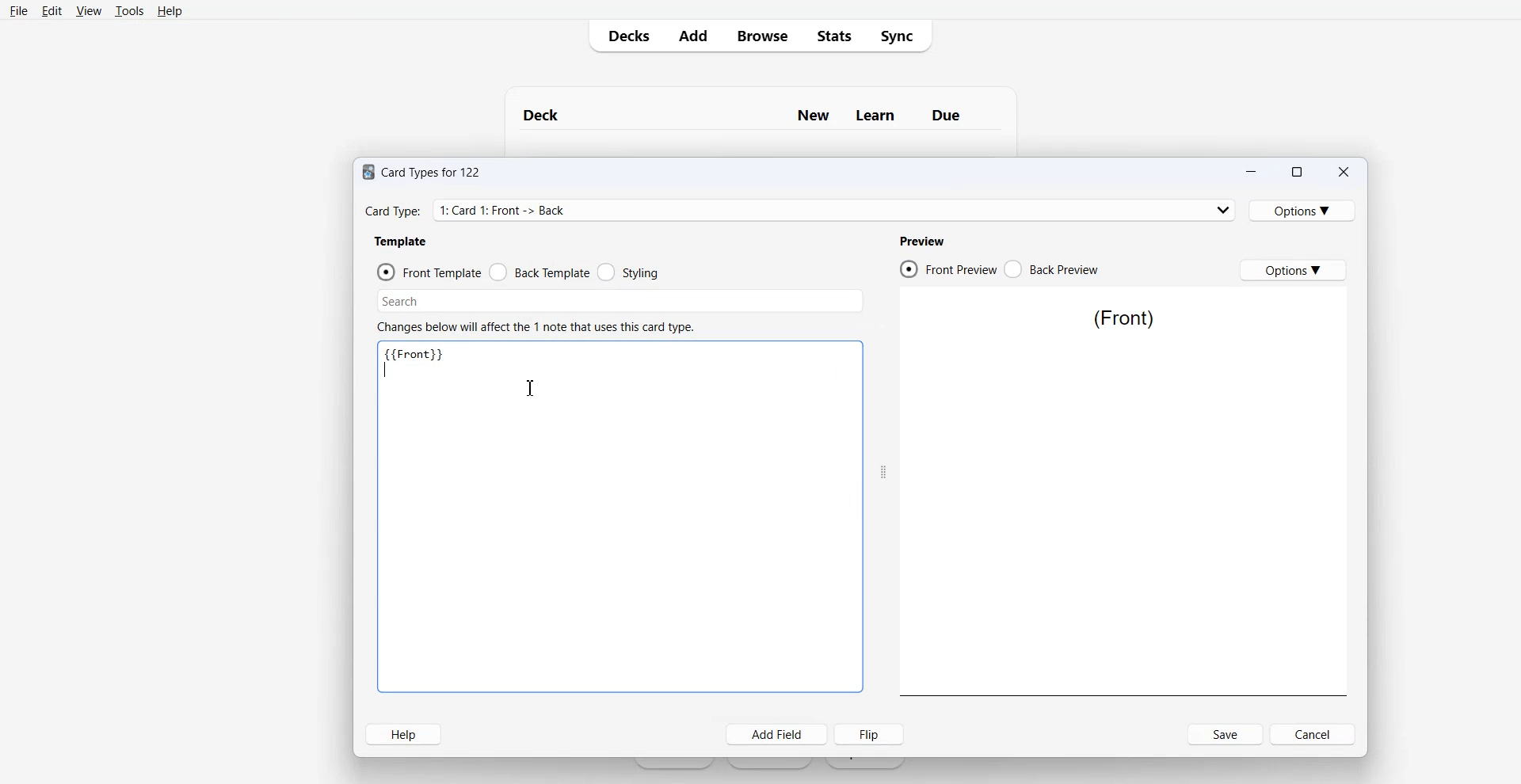 The width and height of the screenshot is (1521, 784). I want to click on Options, so click(1303, 210).